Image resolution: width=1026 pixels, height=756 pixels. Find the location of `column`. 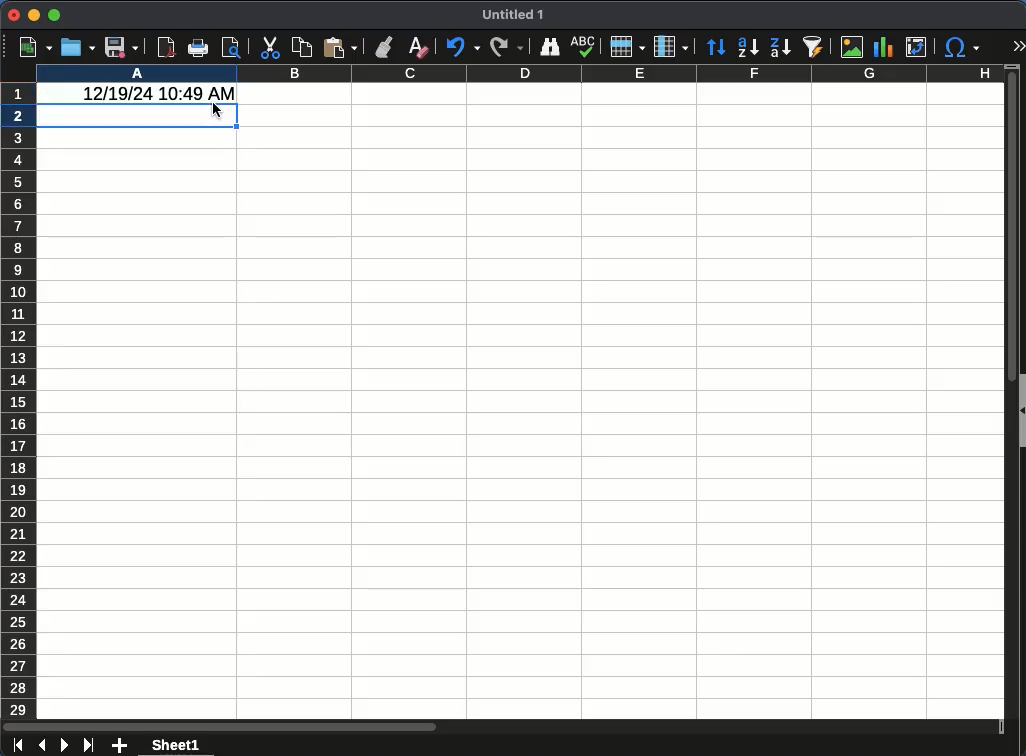

column is located at coordinates (520, 75).